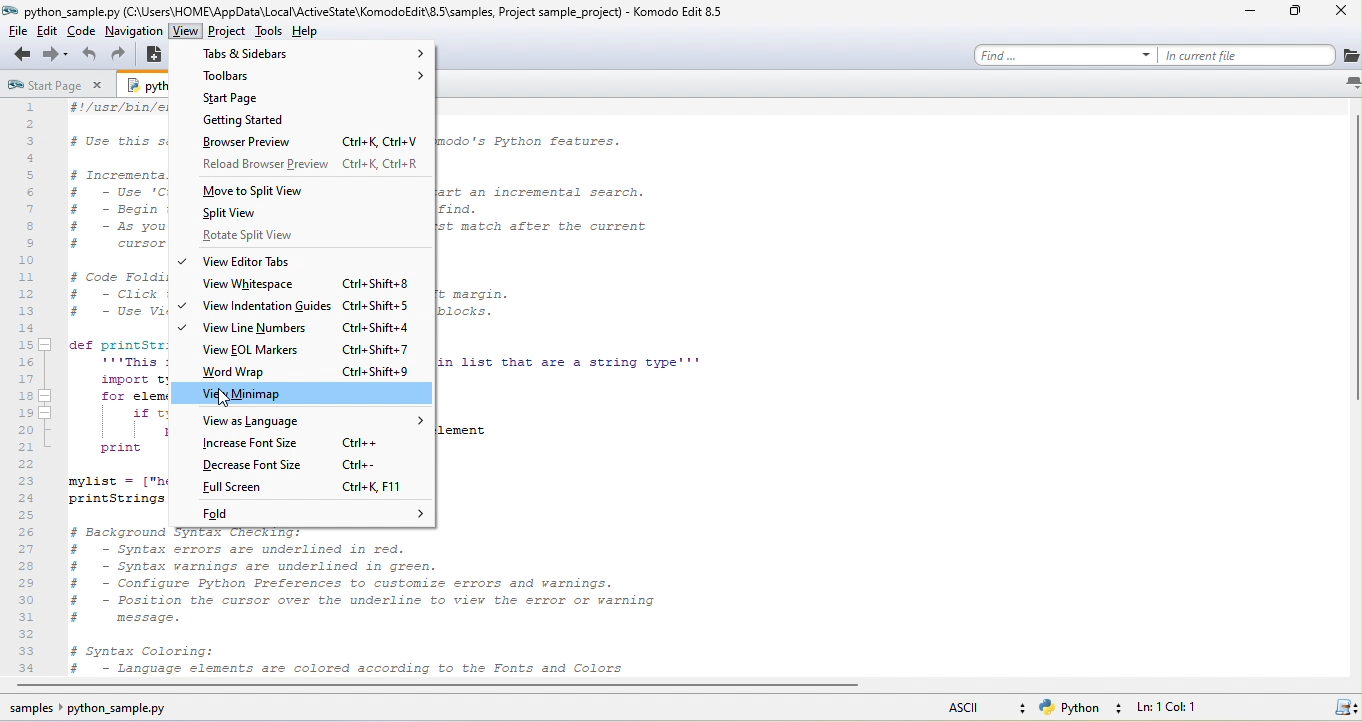 This screenshot has height=722, width=1362. What do you see at coordinates (306, 282) in the screenshot?
I see `view whitespace` at bounding box center [306, 282].